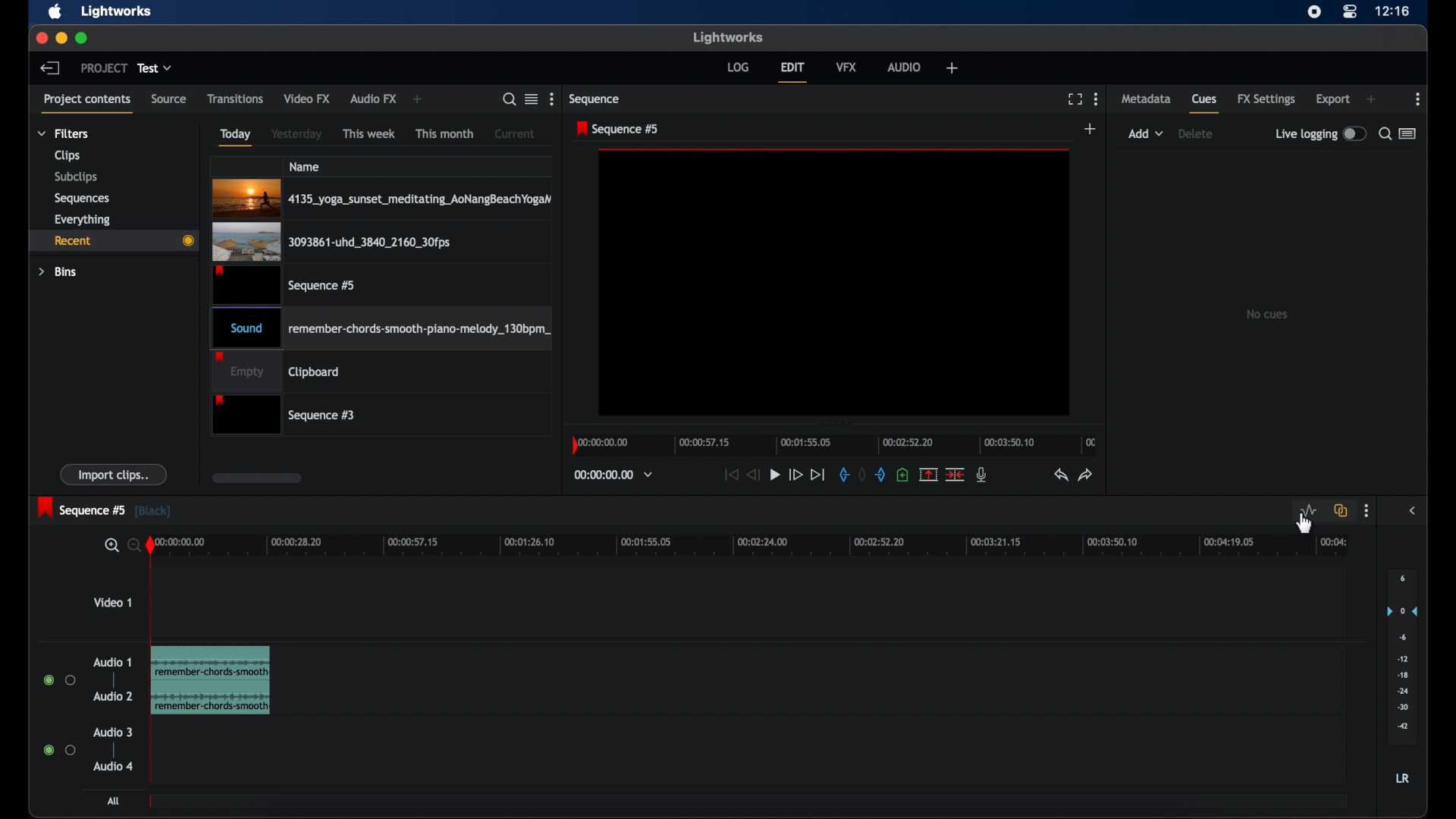 This screenshot has height=819, width=1456. What do you see at coordinates (1196, 133) in the screenshot?
I see `delete` at bounding box center [1196, 133].